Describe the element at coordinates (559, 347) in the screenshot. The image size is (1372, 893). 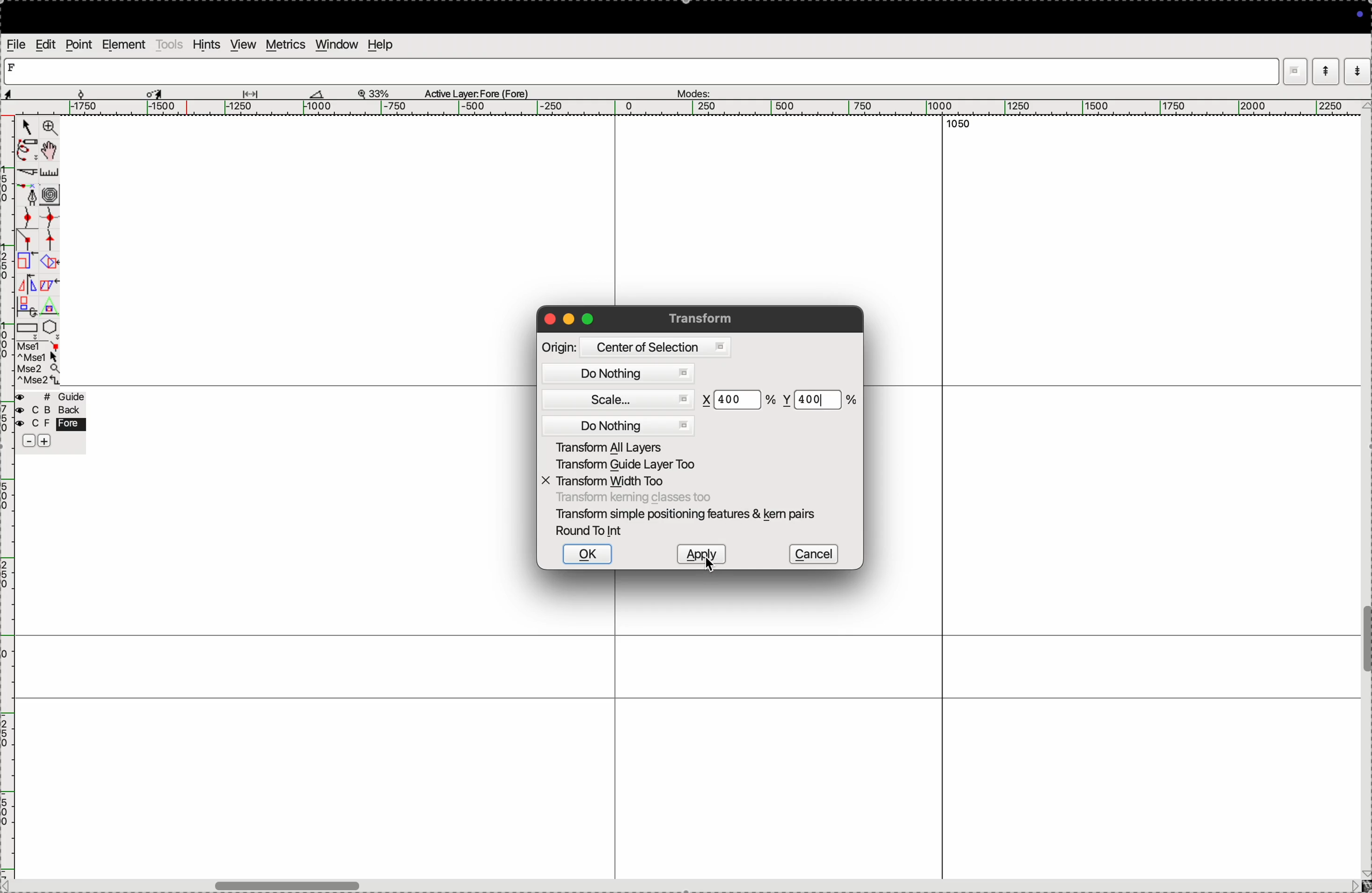
I see `origin` at that location.